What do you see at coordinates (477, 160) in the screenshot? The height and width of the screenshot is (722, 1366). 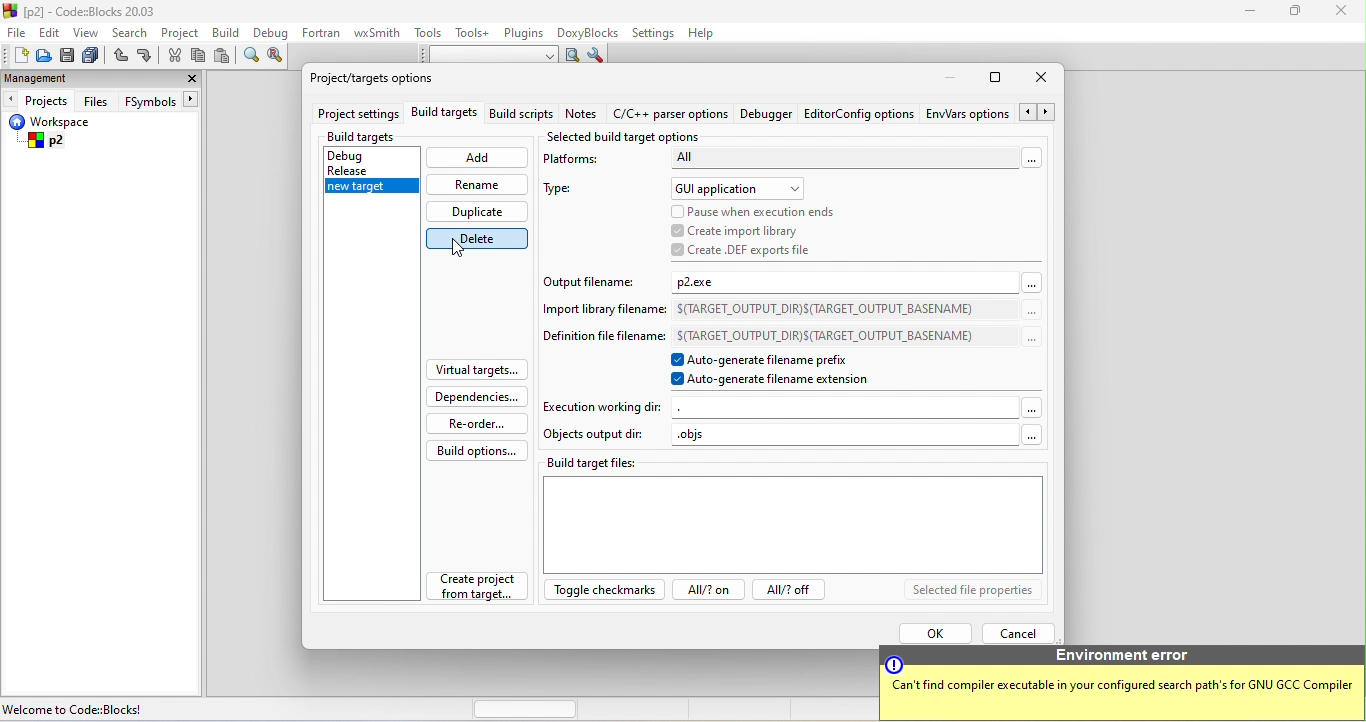 I see `add` at bounding box center [477, 160].